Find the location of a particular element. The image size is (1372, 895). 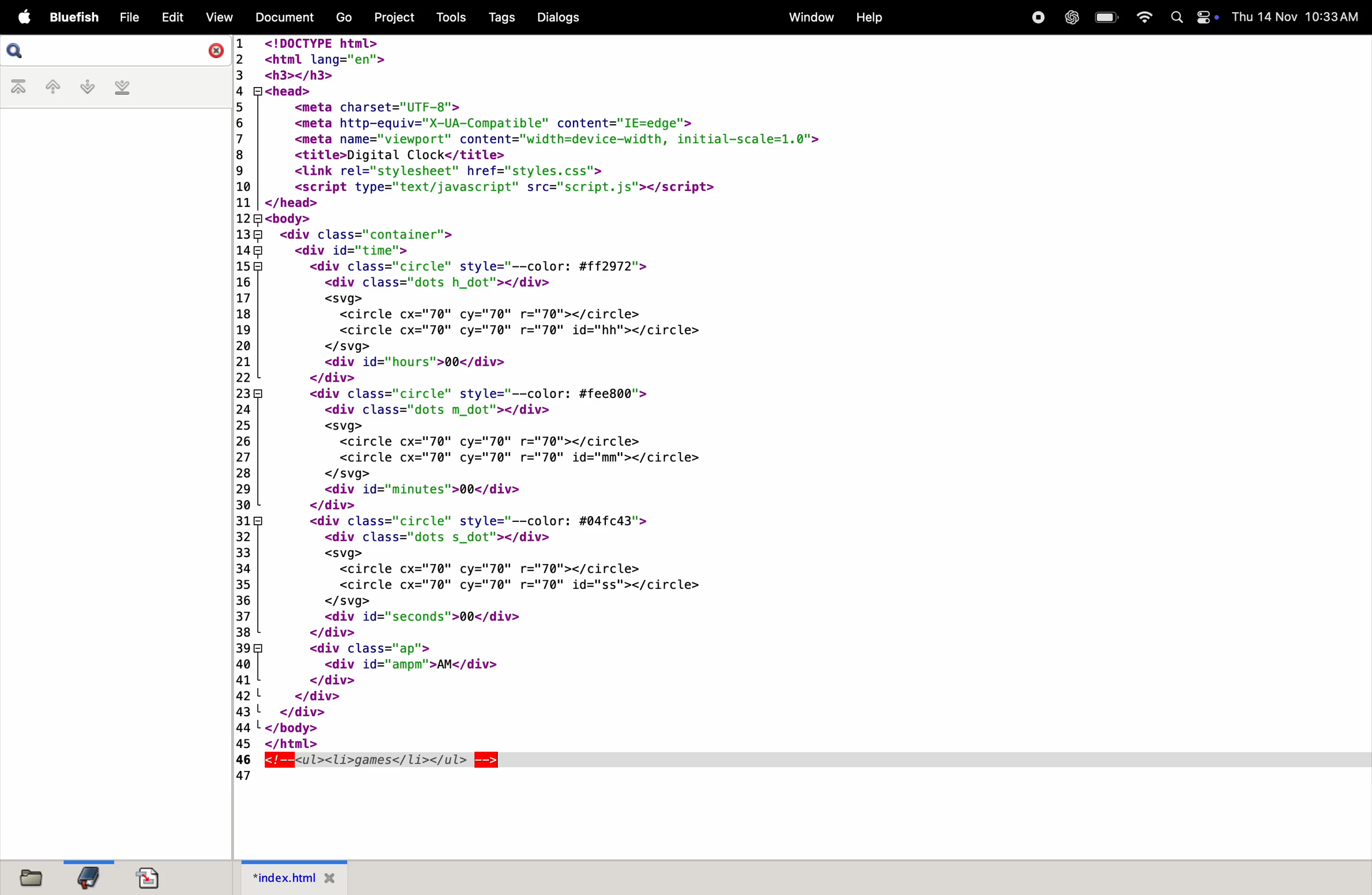

window is located at coordinates (808, 18).